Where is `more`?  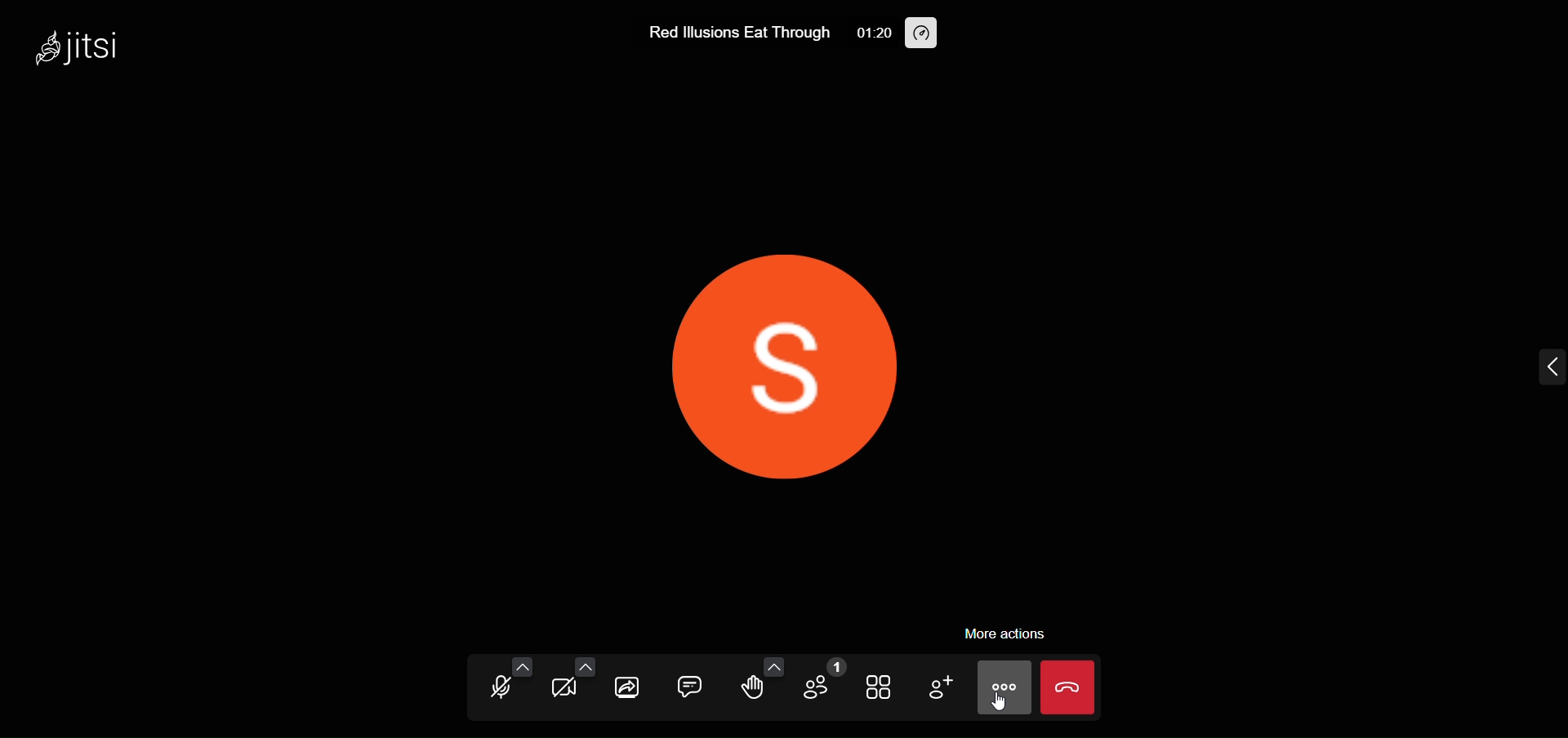 more is located at coordinates (1001, 688).